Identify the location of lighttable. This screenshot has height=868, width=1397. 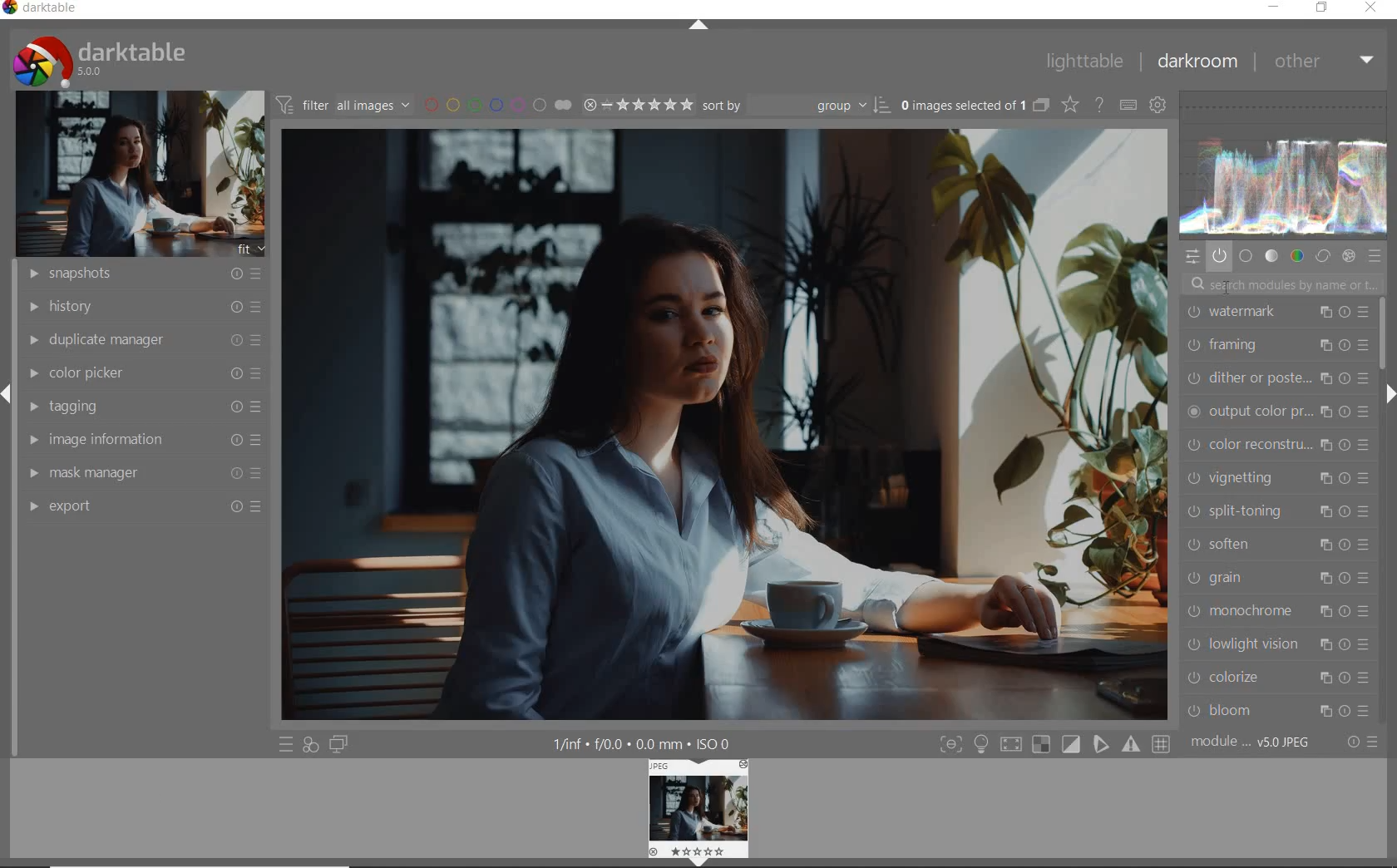
(1084, 62).